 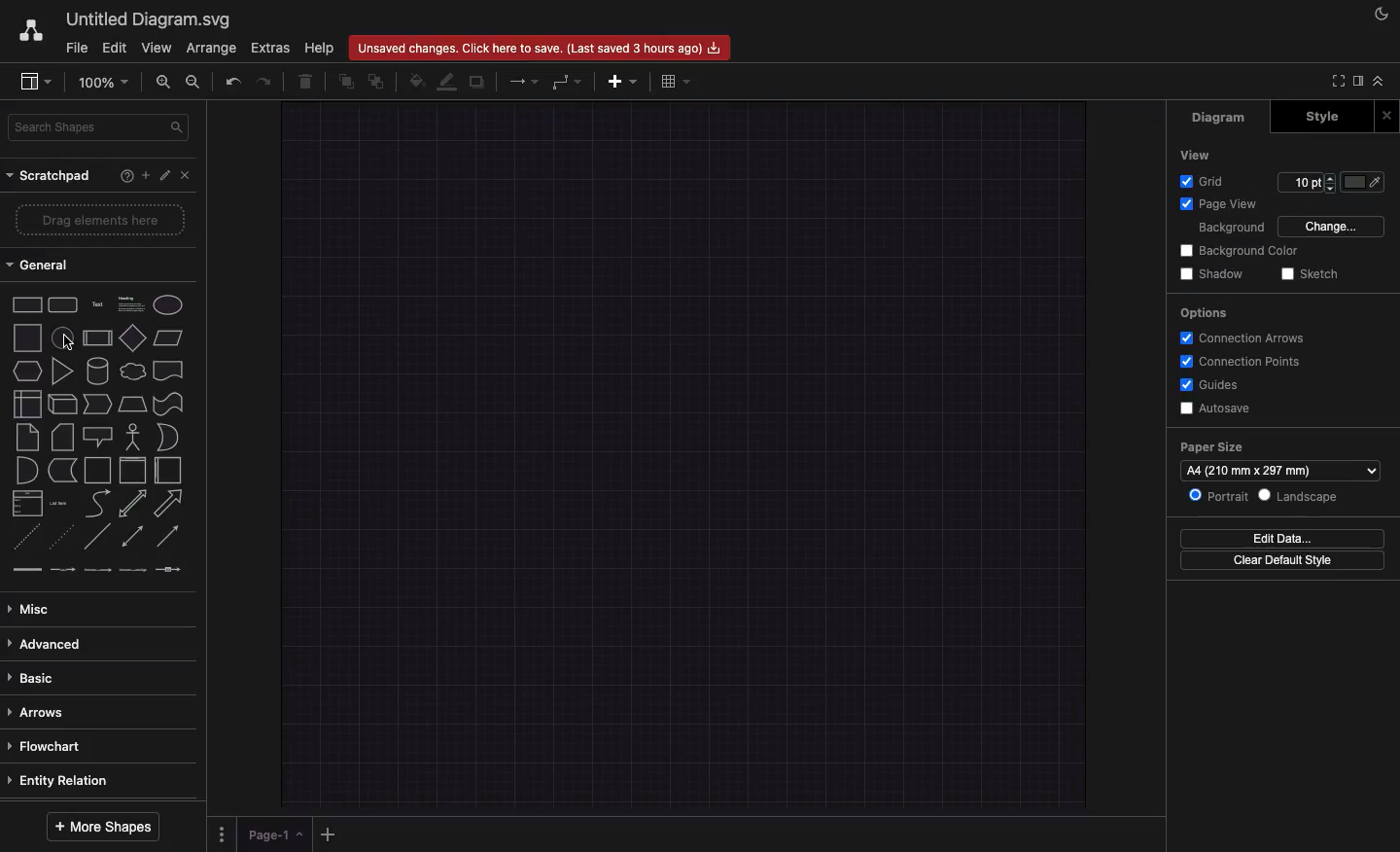 What do you see at coordinates (43, 710) in the screenshot?
I see `Arrows` at bounding box center [43, 710].